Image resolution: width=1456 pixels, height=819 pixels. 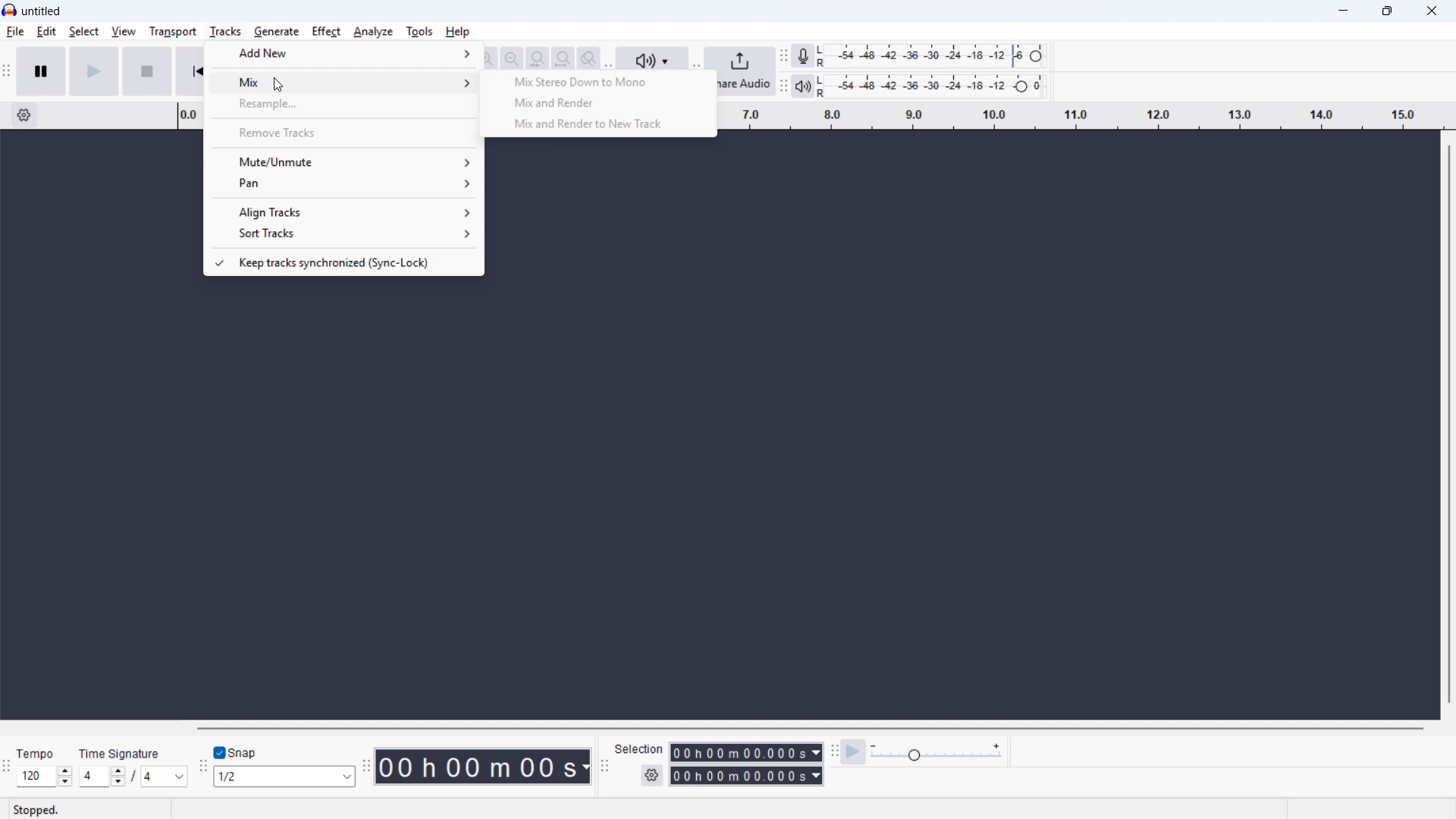 I want to click on Pan , so click(x=343, y=183).